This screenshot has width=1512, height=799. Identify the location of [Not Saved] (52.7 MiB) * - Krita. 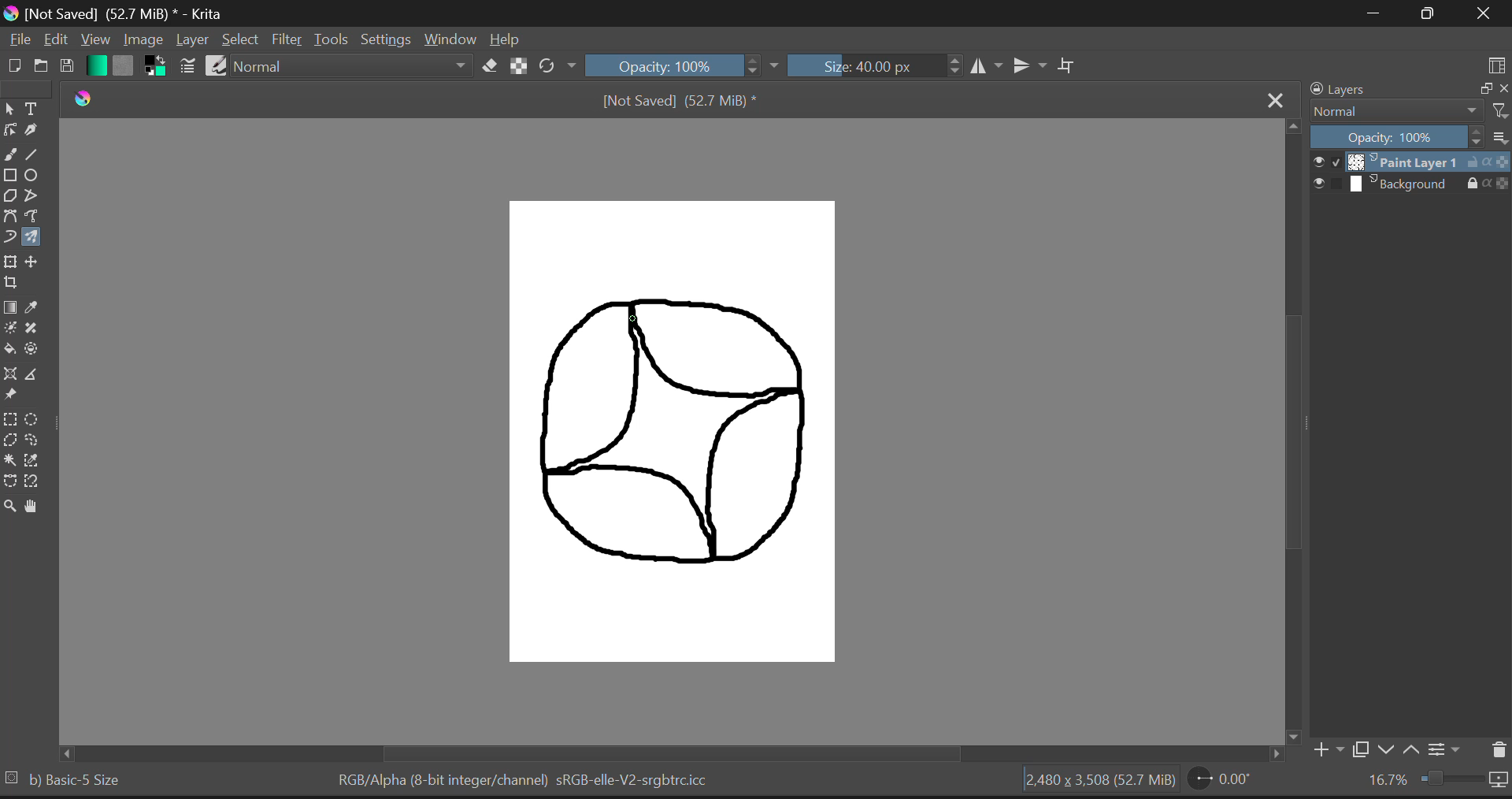
(122, 13).